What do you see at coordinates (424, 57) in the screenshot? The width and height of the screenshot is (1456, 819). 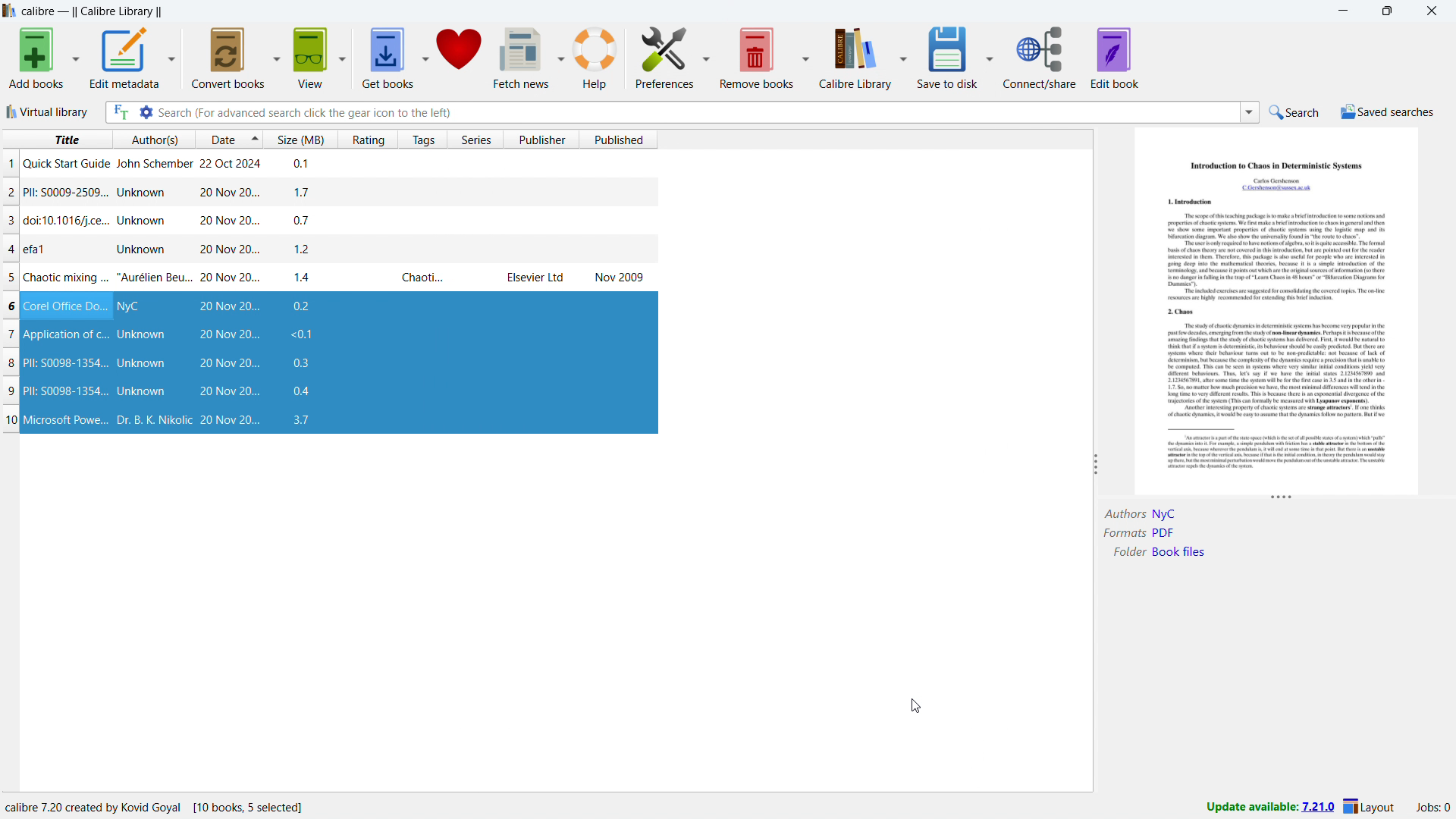 I see `get books options` at bounding box center [424, 57].